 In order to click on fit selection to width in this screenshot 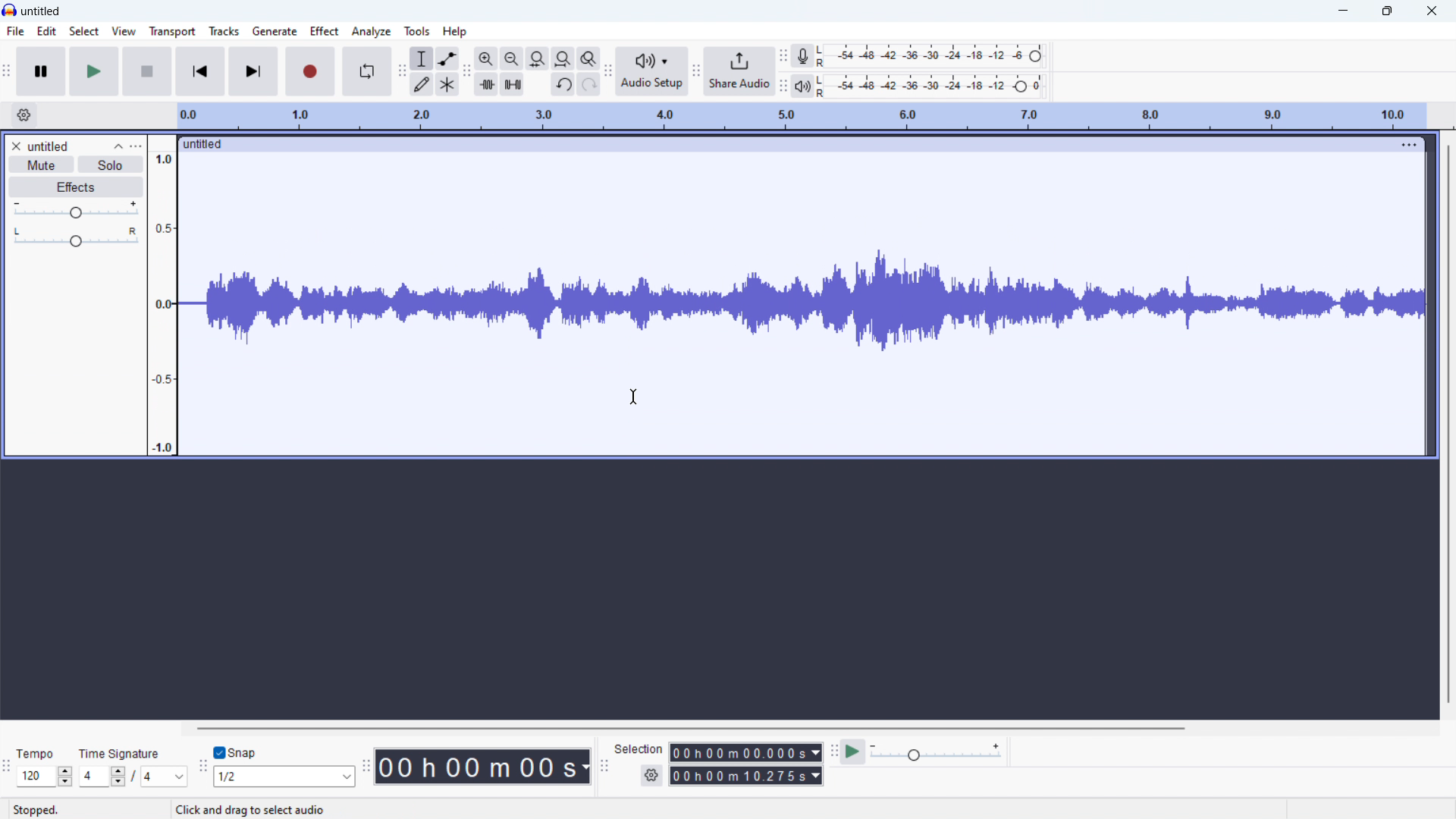, I will do `click(537, 59)`.